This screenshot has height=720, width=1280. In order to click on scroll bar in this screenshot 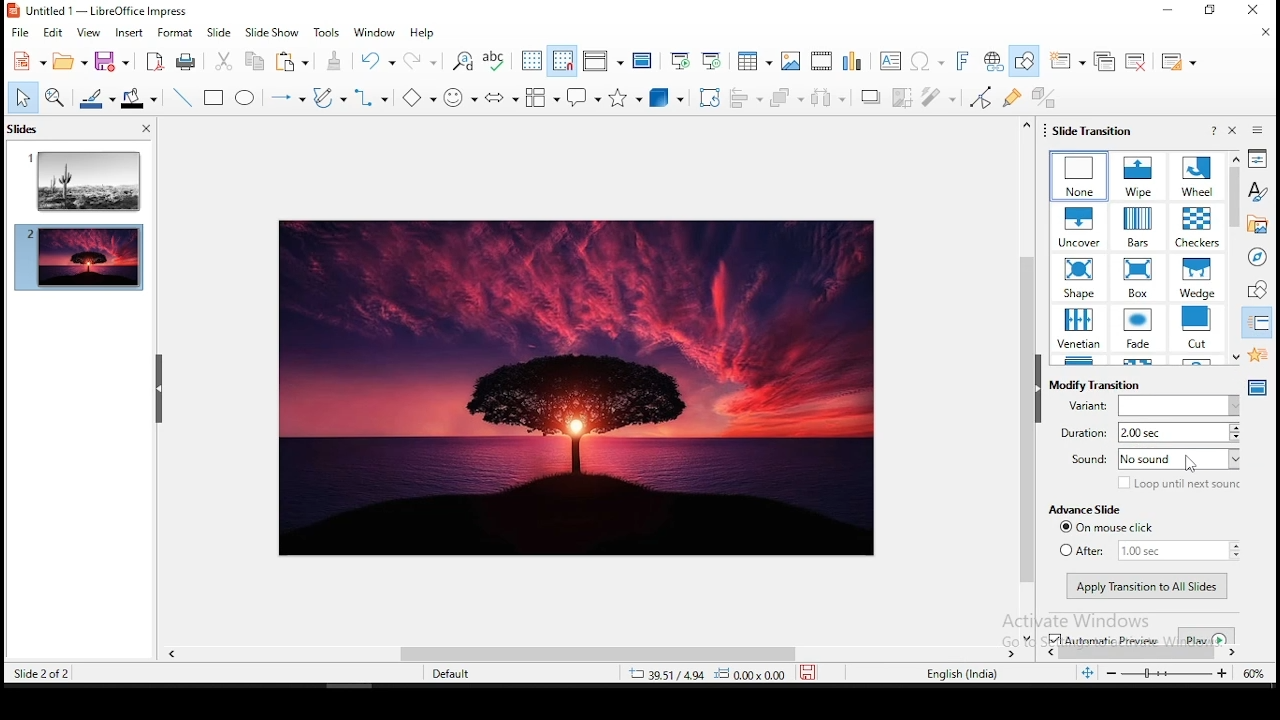, I will do `click(683, 654)`.